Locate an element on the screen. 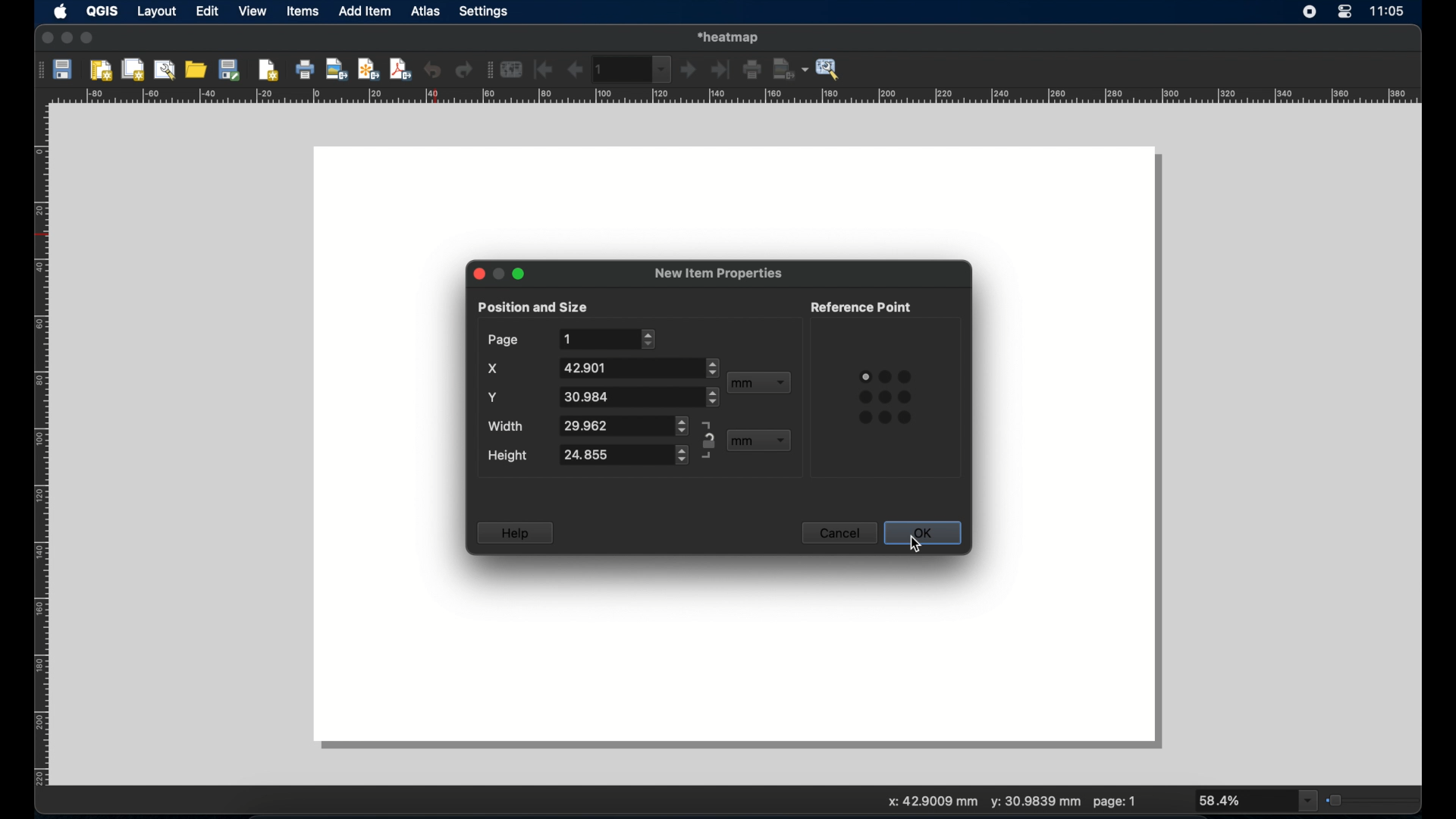 The image size is (1456, 819). page: 1 is located at coordinates (1115, 802).